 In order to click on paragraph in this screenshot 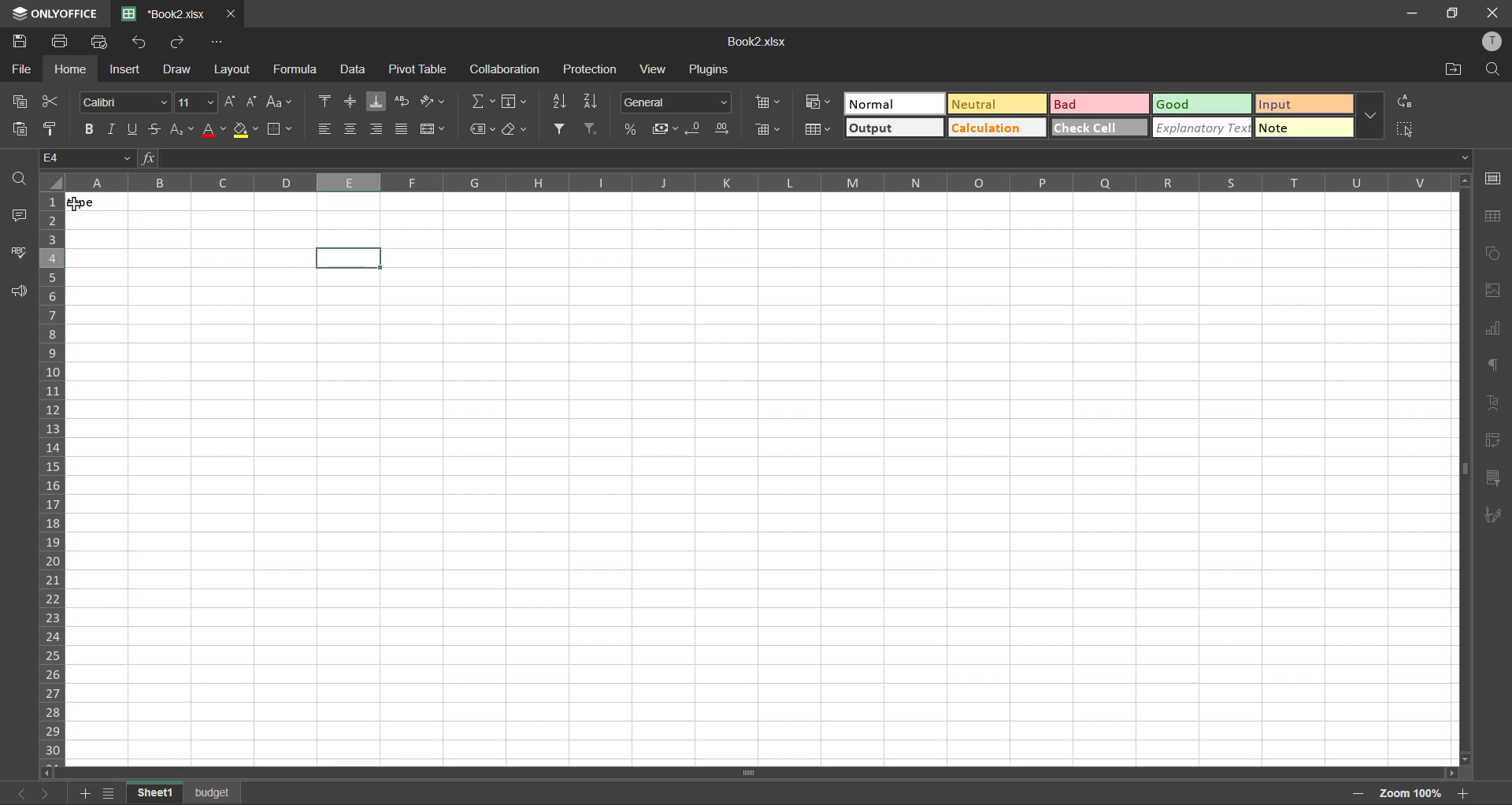, I will do `click(1492, 364)`.